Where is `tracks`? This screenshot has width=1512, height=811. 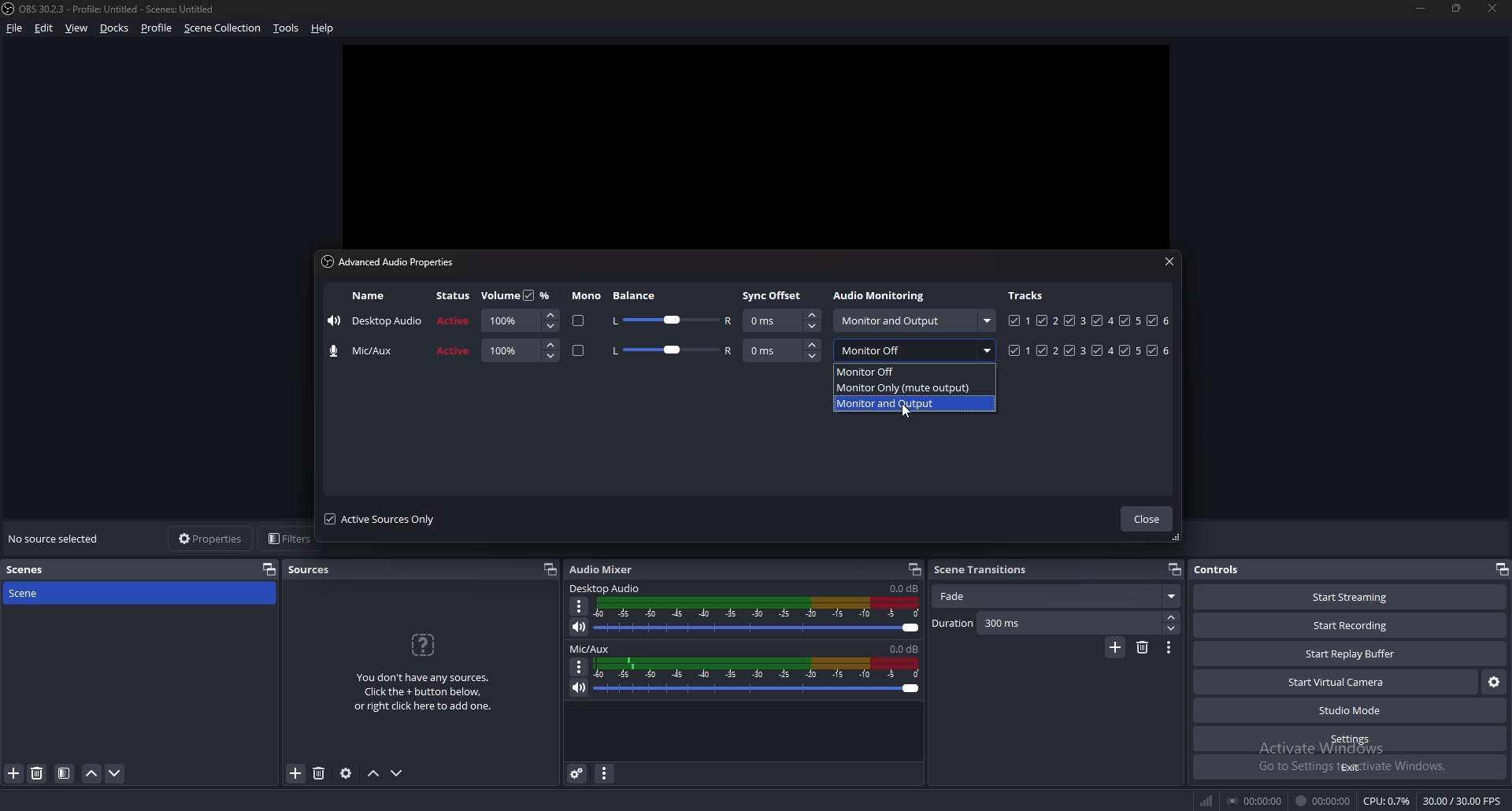 tracks is located at coordinates (1091, 320).